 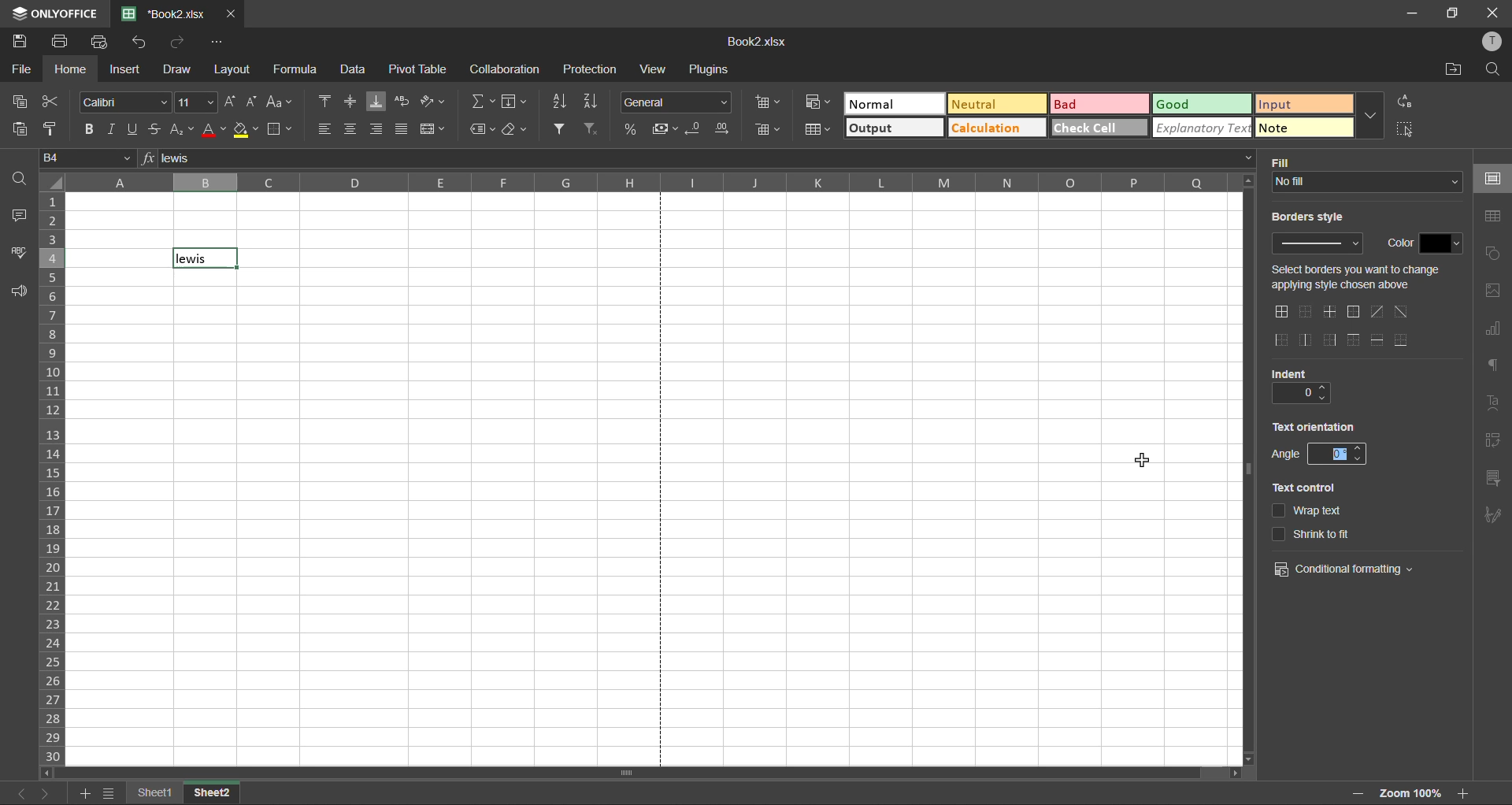 I want to click on increase indent, so click(x=1327, y=385).